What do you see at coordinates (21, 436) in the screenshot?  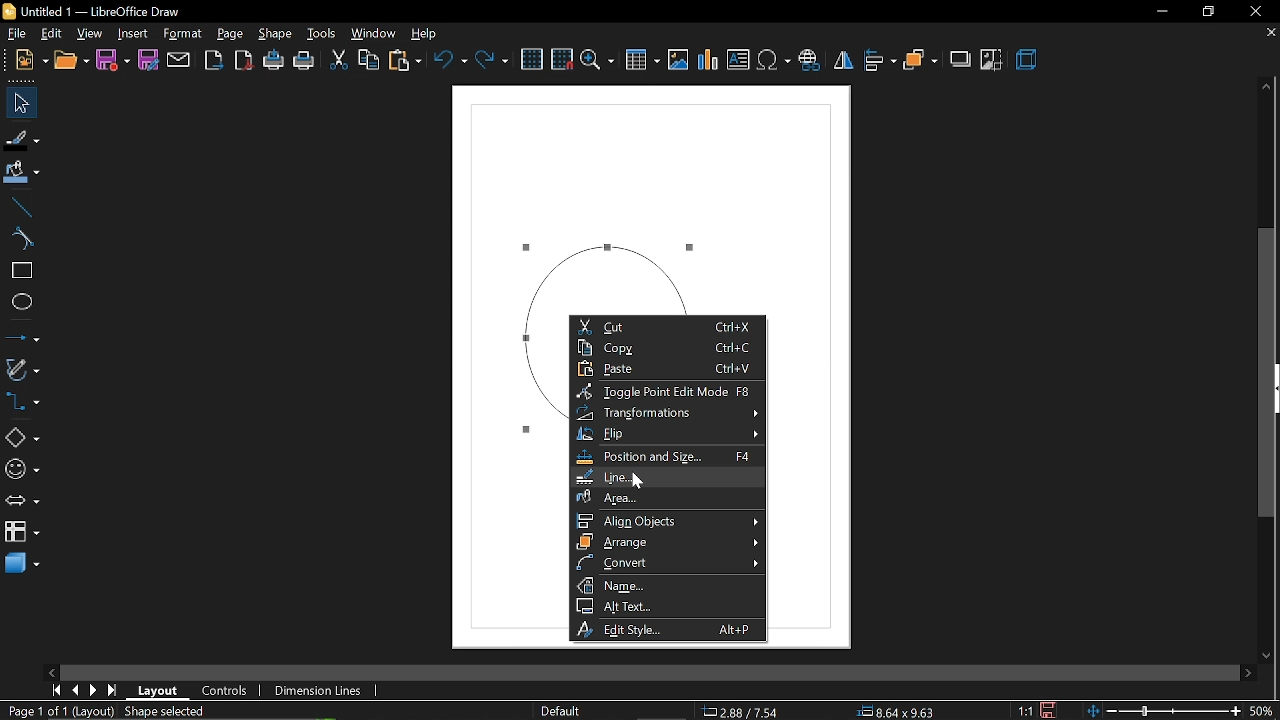 I see `shapes` at bounding box center [21, 436].